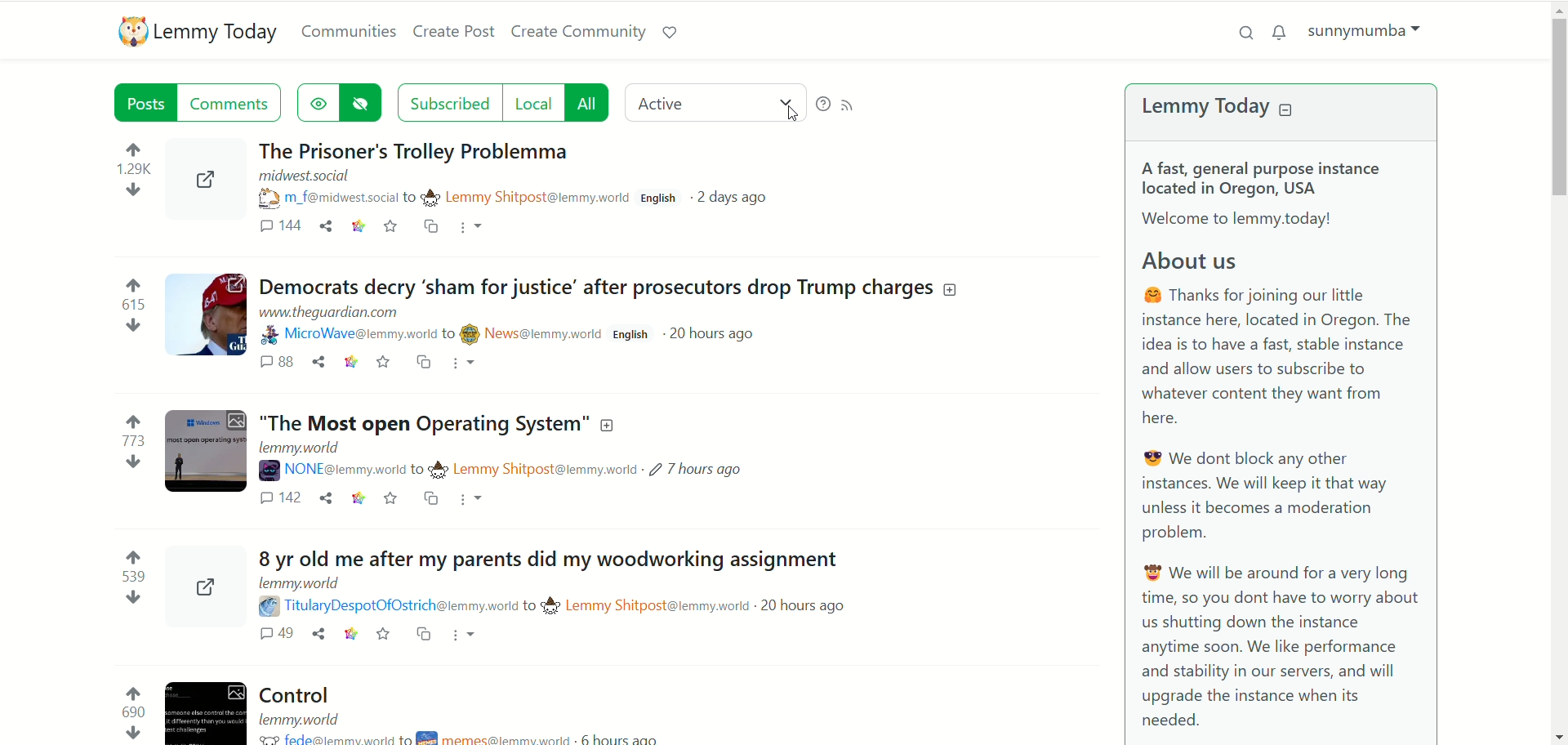 The image size is (1568, 745). I want to click on English(language), so click(658, 201).